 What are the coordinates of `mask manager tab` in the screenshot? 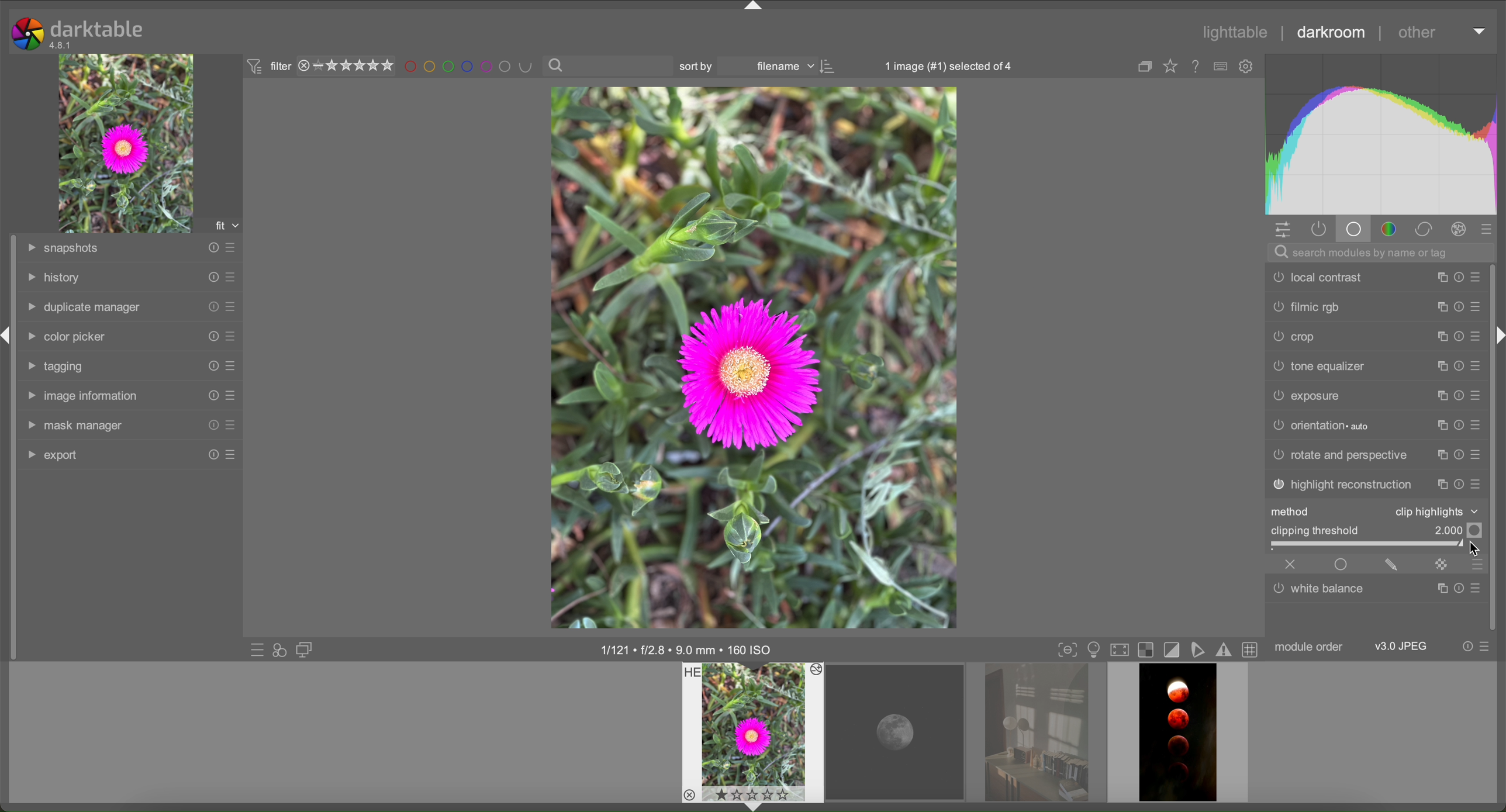 It's located at (75, 426).